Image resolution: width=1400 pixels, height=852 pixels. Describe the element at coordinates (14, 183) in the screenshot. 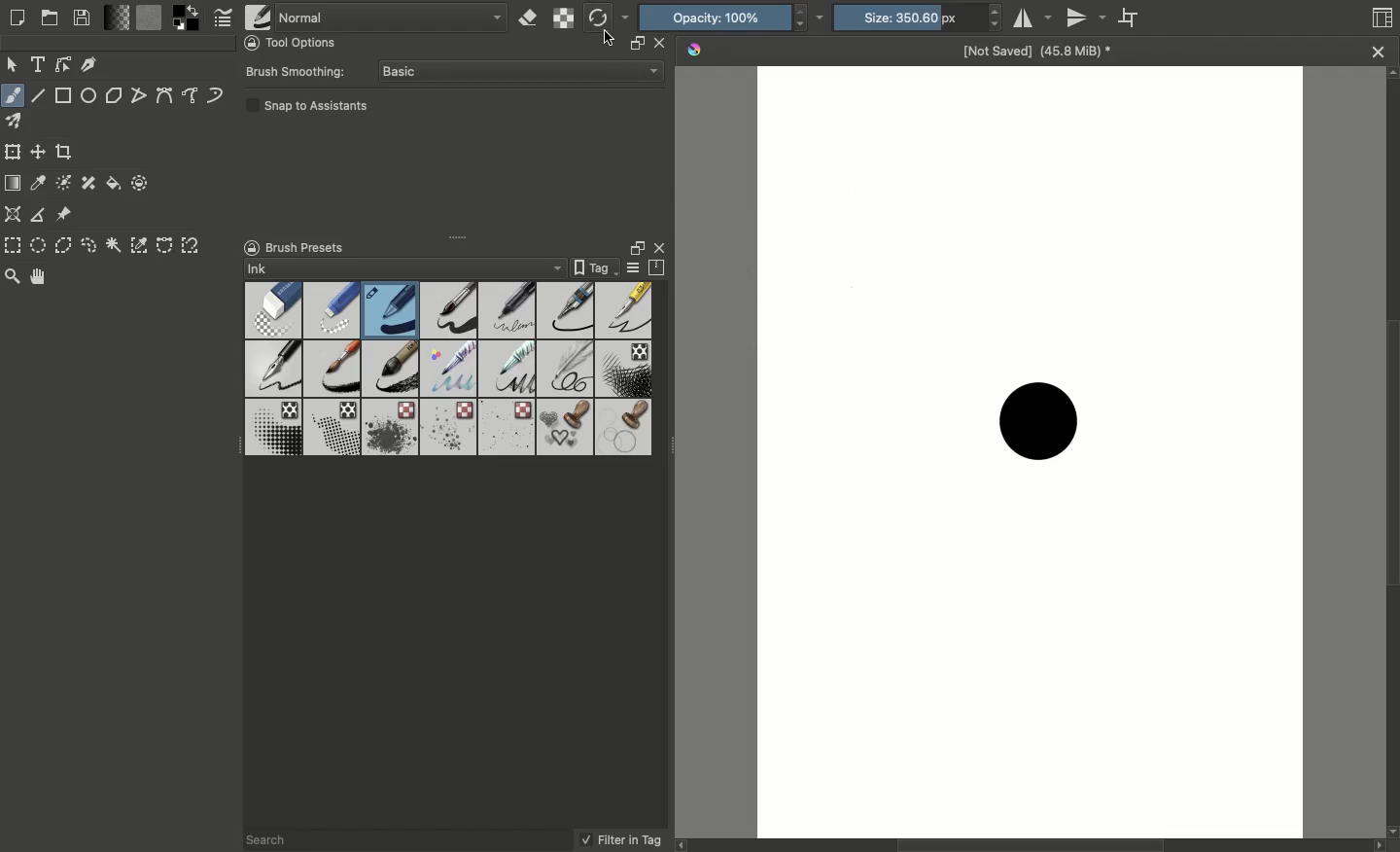

I see `Draw a gradient` at that location.